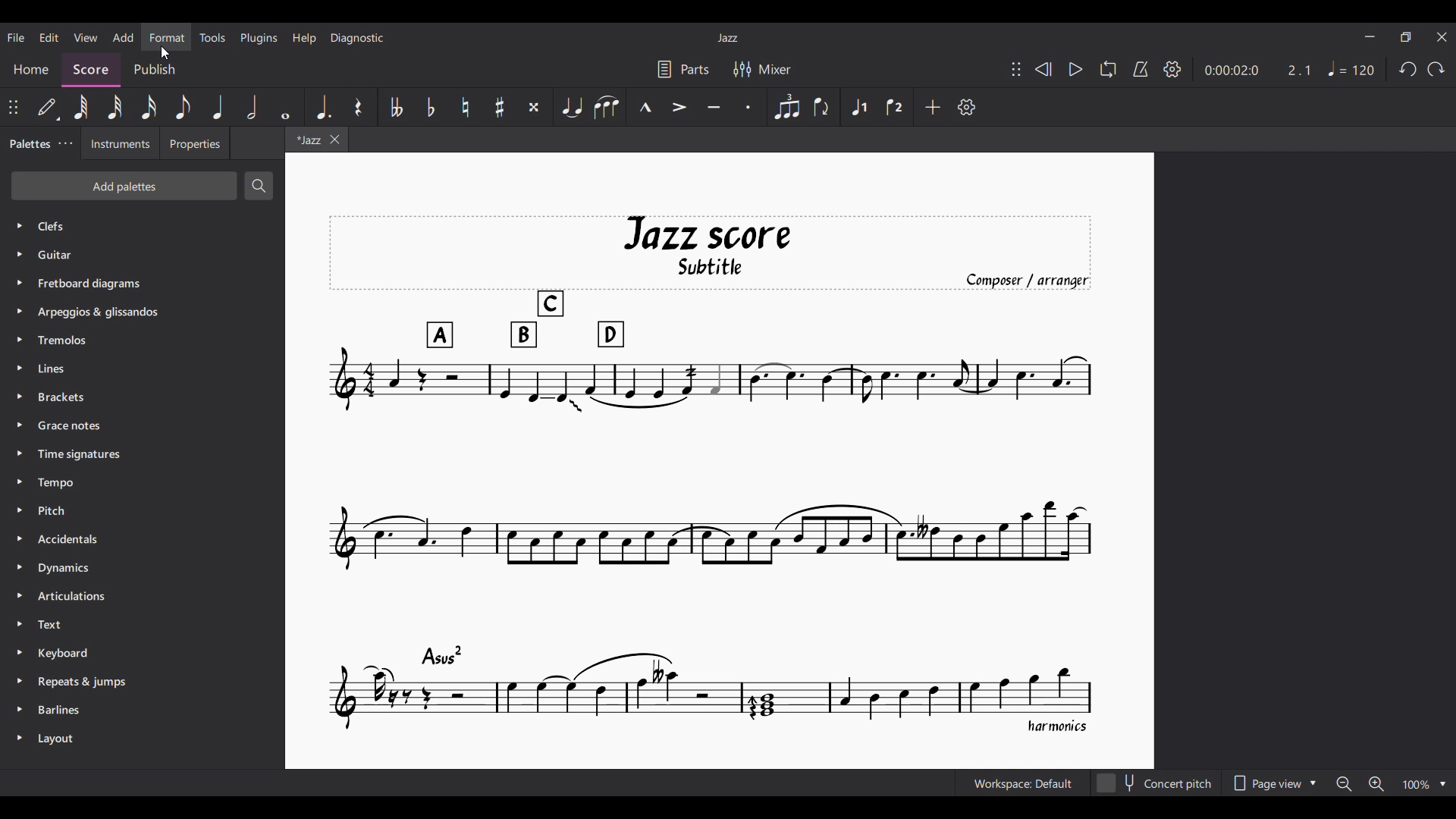 The image size is (1456, 819). Describe the element at coordinates (149, 106) in the screenshot. I see `16th note` at that location.